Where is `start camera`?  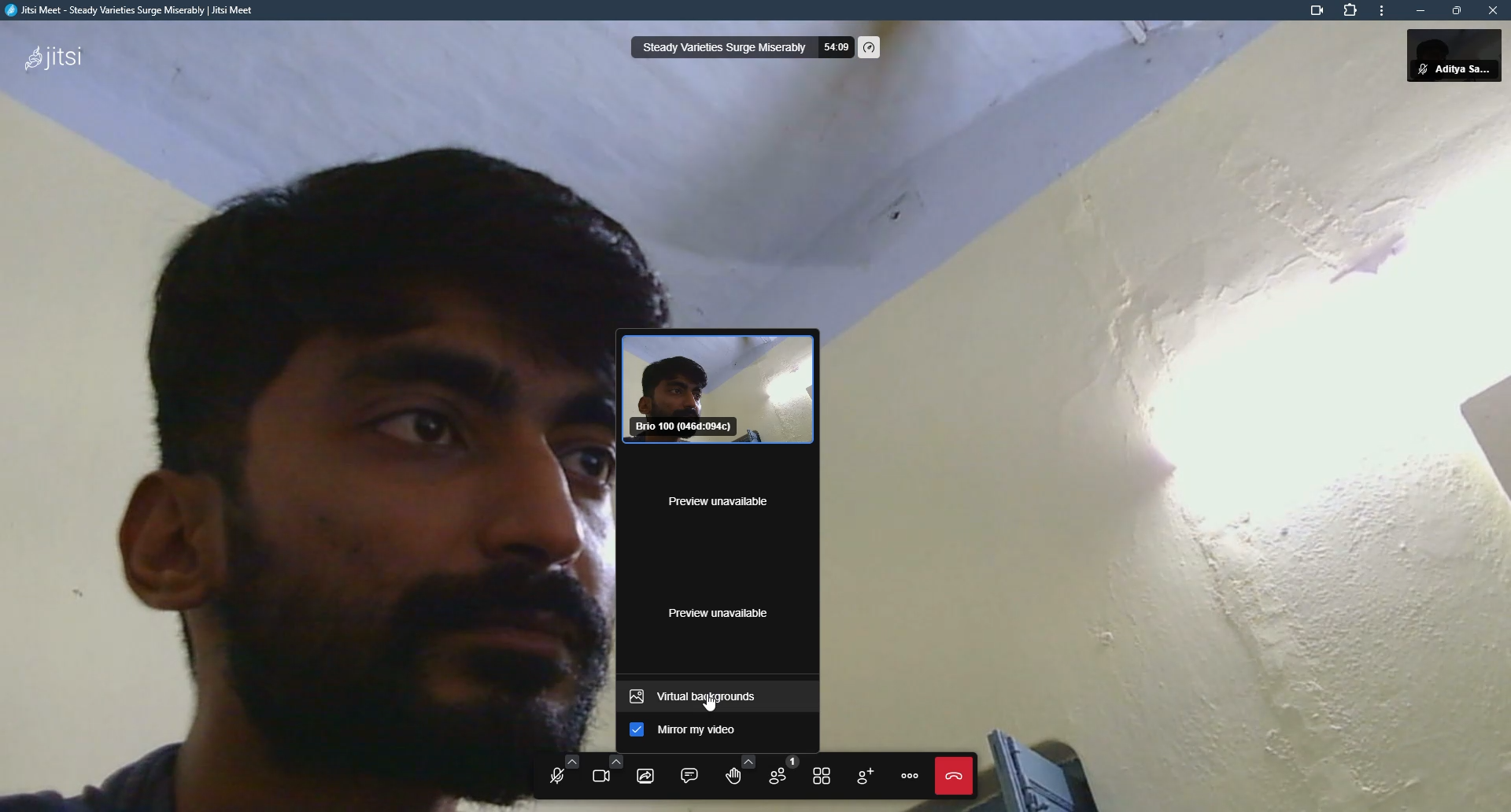 start camera is located at coordinates (604, 772).